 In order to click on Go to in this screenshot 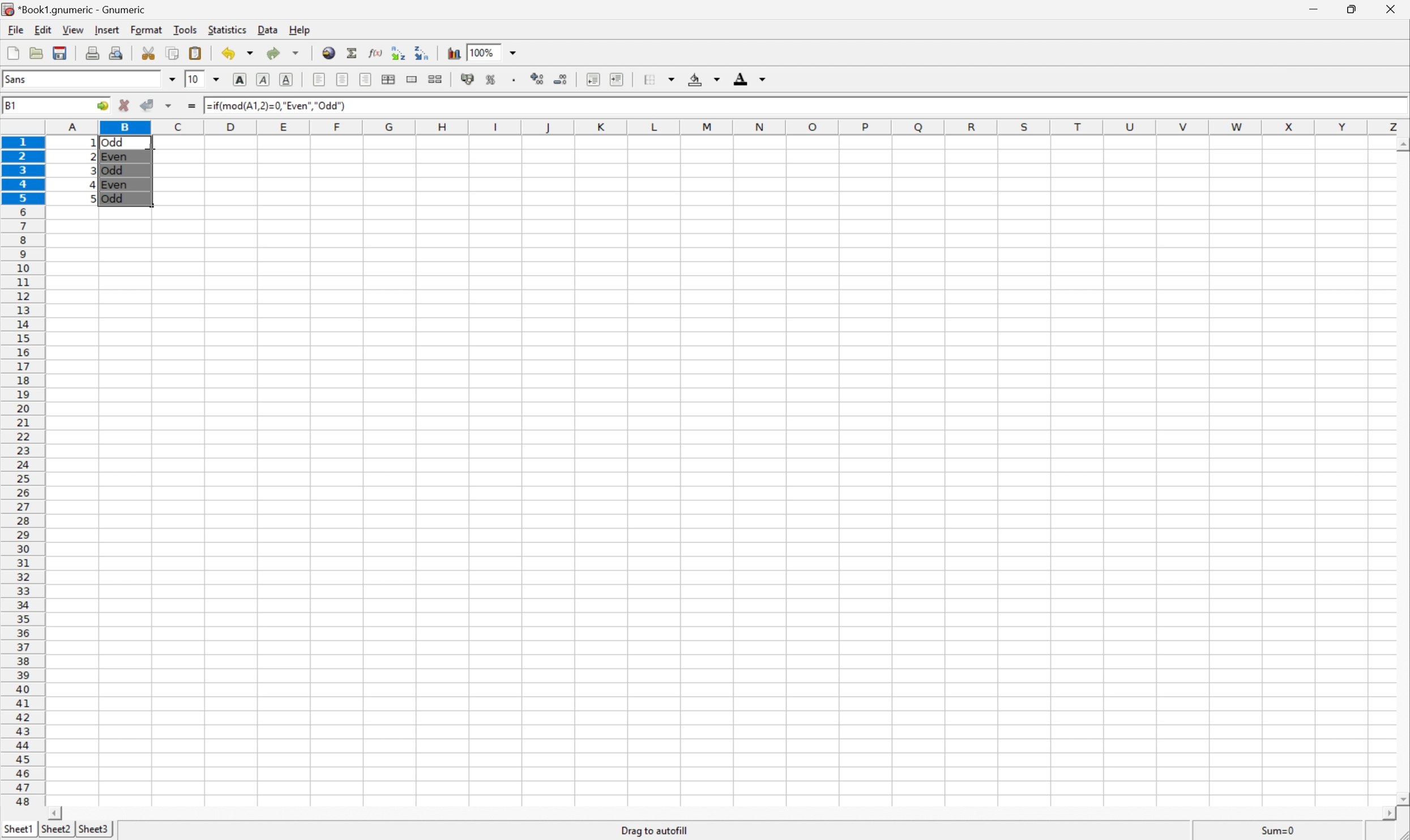, I will do `click(102, 104)`.